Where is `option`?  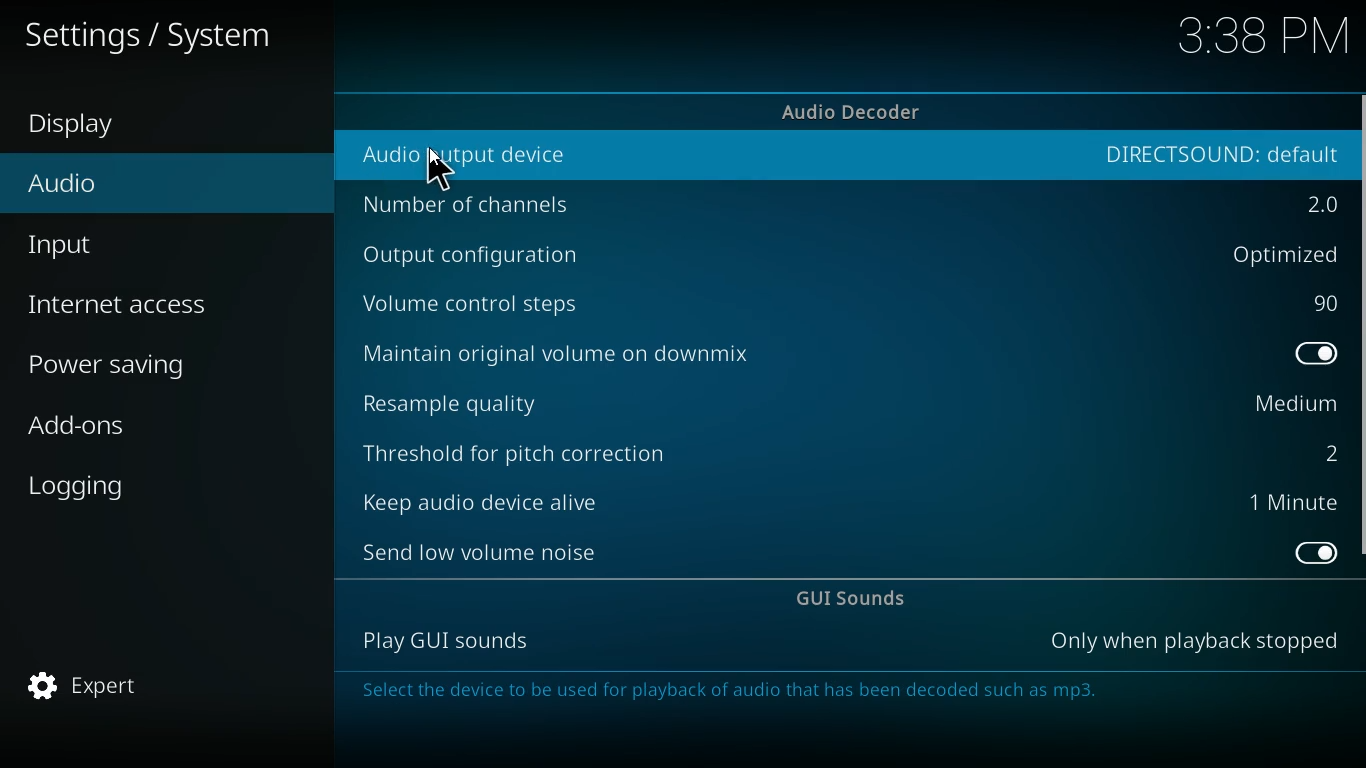
option is located at coordinates (1321, 304).